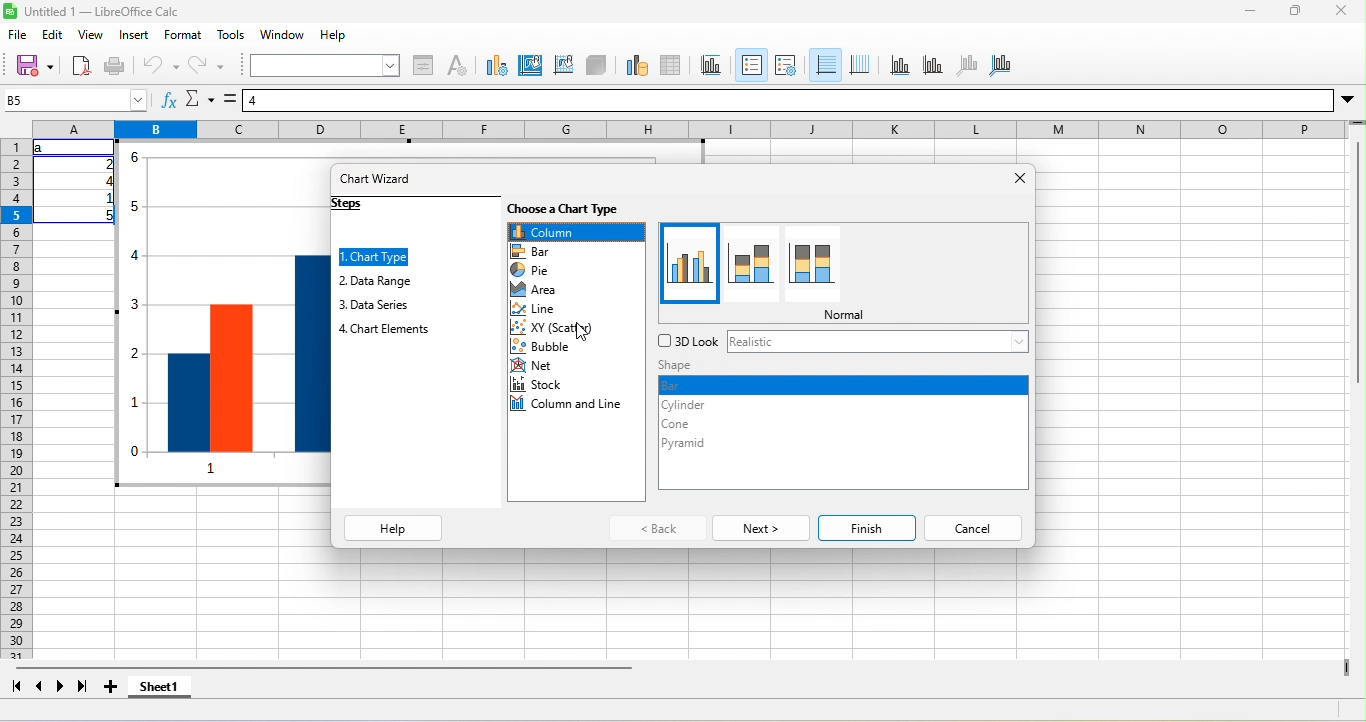  What do you see at coordinates (1348, 101) in the screenshot?
I see `More options` at bounding box center [1348, 101].